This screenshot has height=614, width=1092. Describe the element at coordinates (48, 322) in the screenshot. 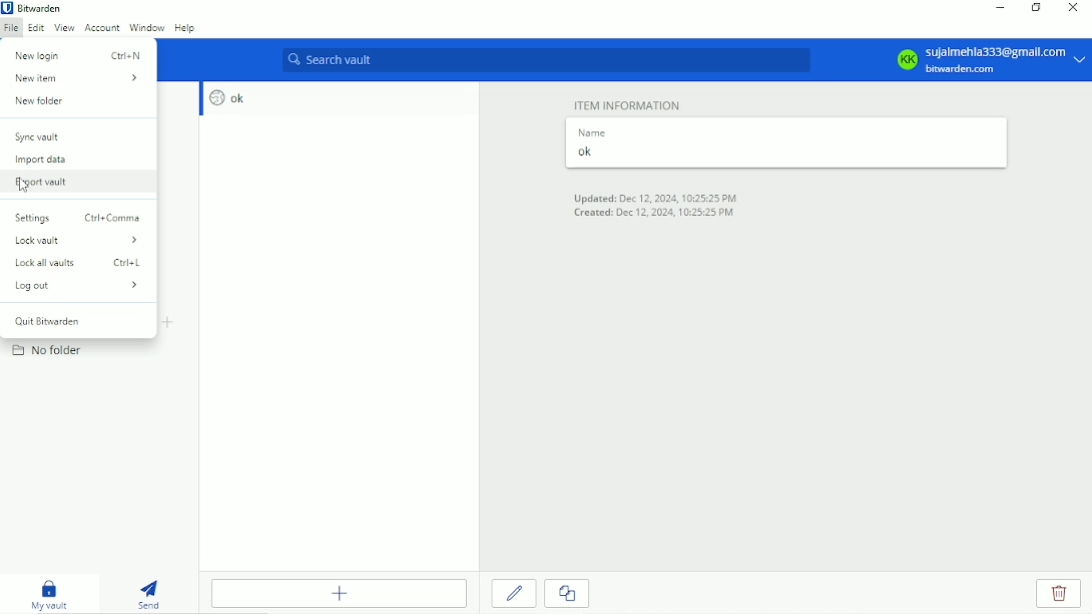

I see `Quit bitwarden` at that location.